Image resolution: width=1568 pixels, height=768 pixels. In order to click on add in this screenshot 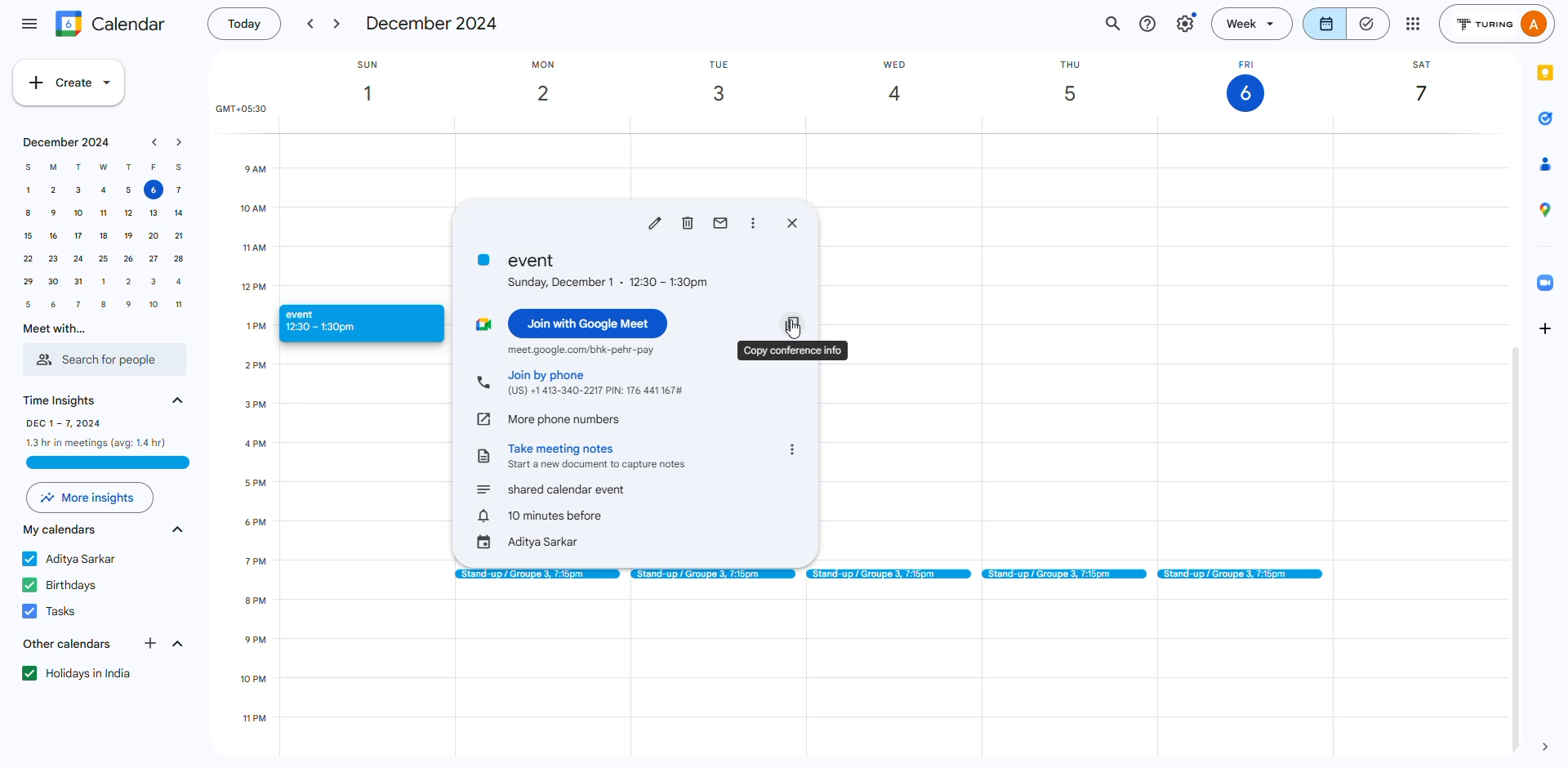, I will do `click(1547, 328)`.